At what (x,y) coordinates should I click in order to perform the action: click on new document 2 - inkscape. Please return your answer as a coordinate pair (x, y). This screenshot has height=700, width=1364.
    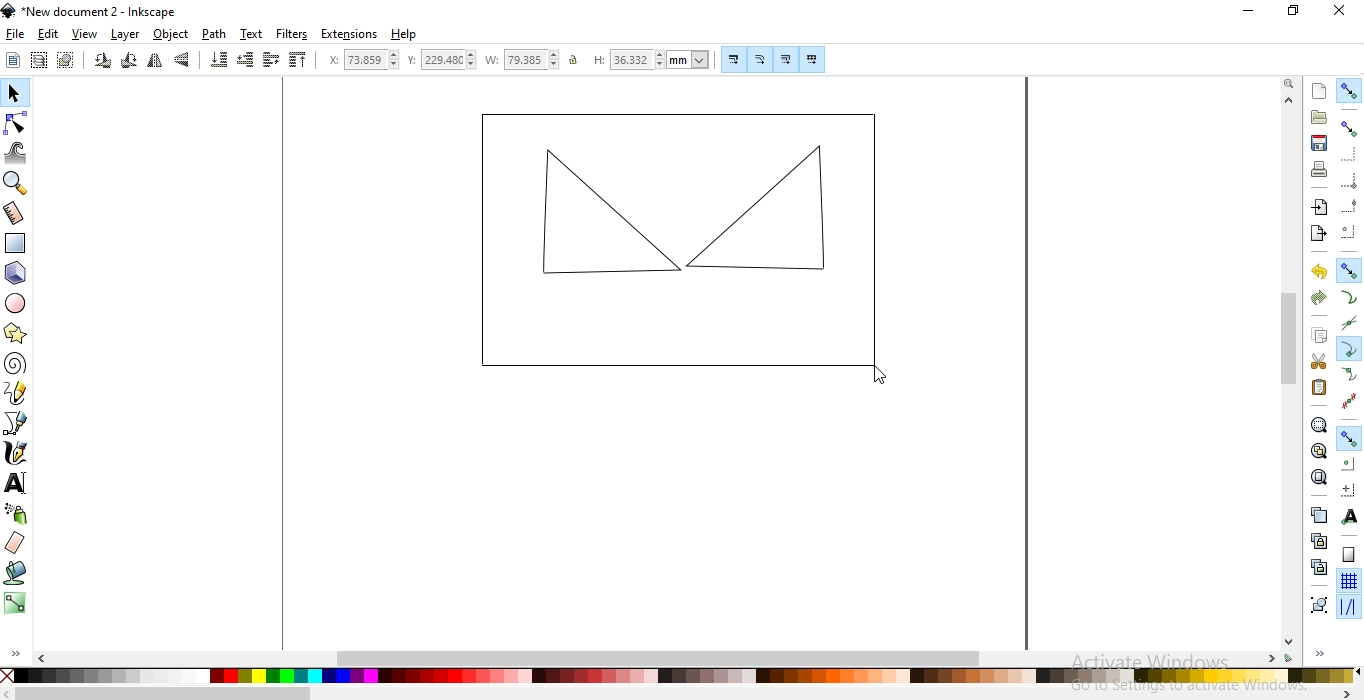
    Looking at the image, I should click on (96, 14).